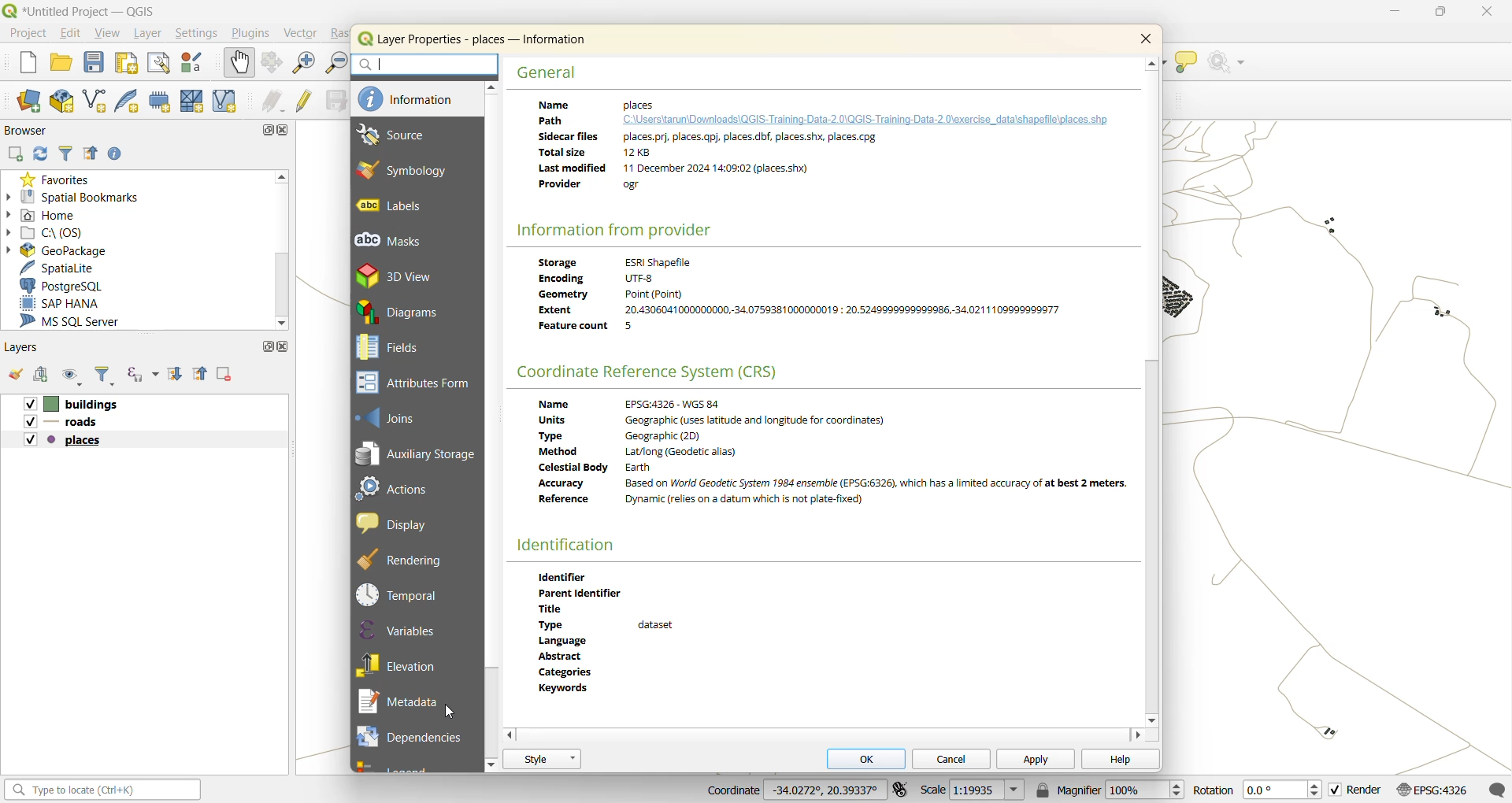 This screenshot has width=1512, height=803. Describe the element at coordinates (59, 441) in the screenshot. I see `` at that location.